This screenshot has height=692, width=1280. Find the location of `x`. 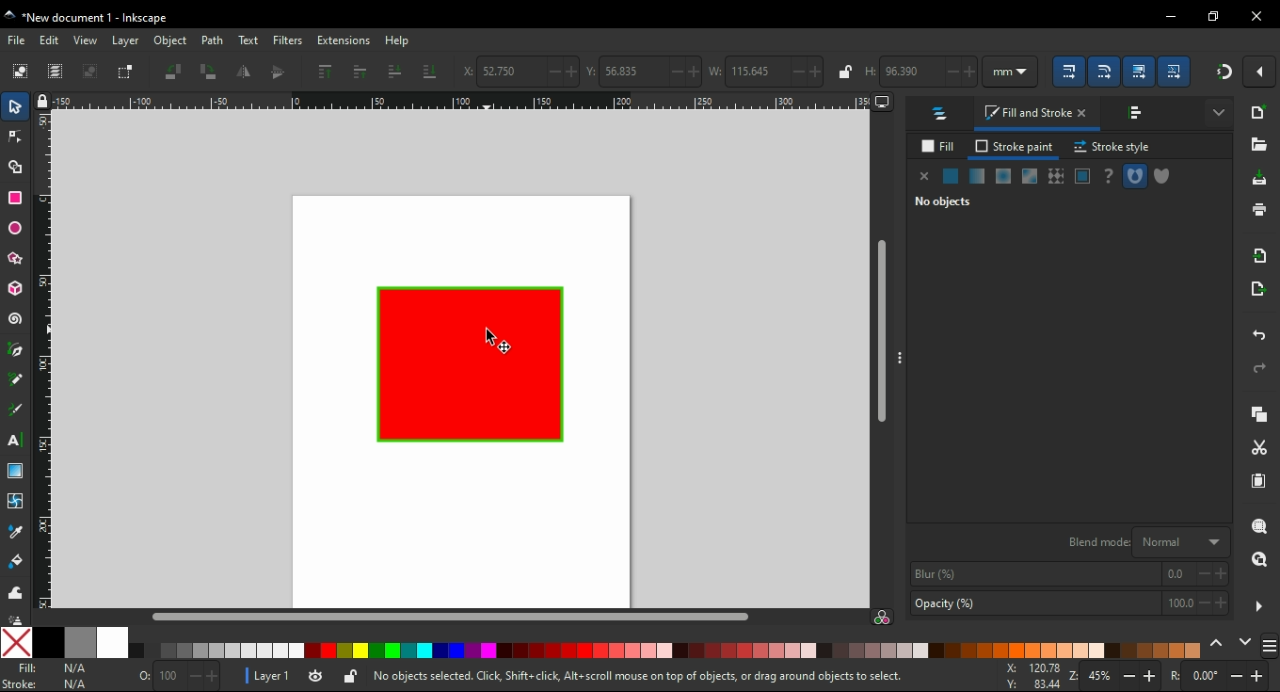

x is located at coordinates (465, 70).